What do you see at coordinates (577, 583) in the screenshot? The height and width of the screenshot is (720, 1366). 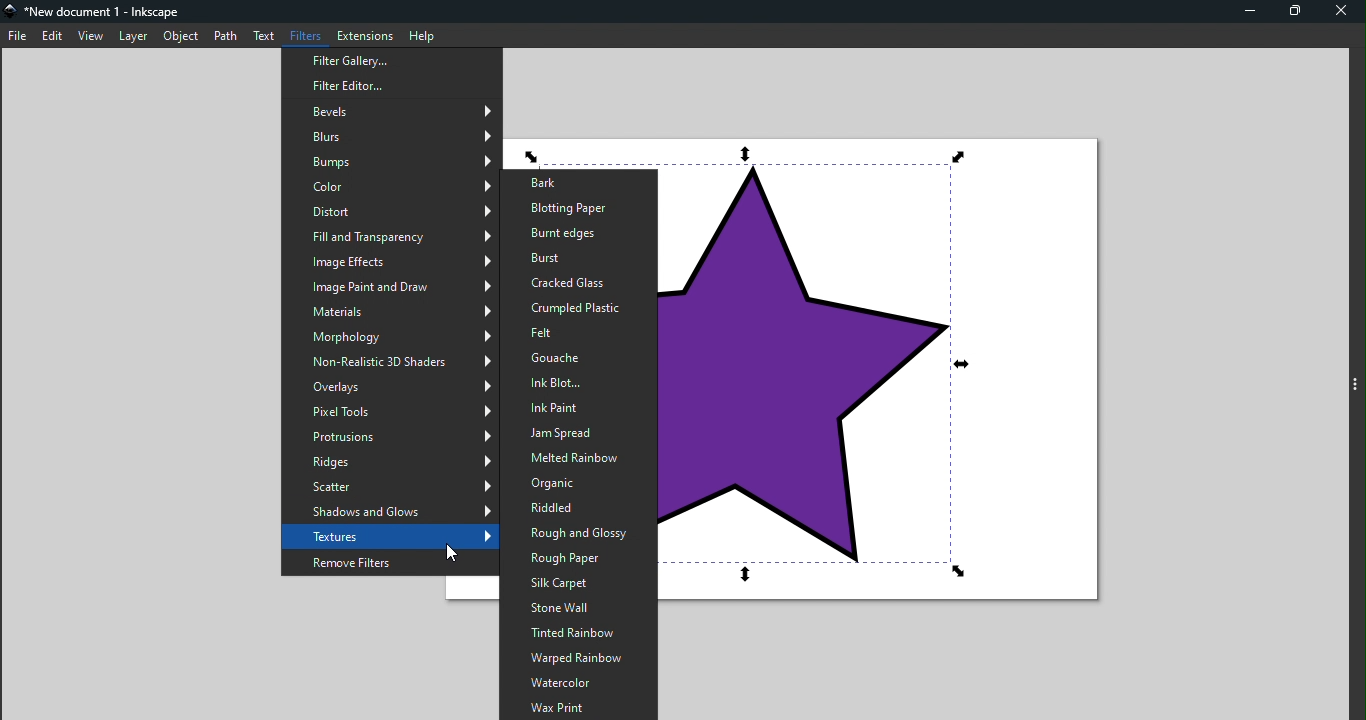 I see `Silk carpet` at bounding box center [577, 583].